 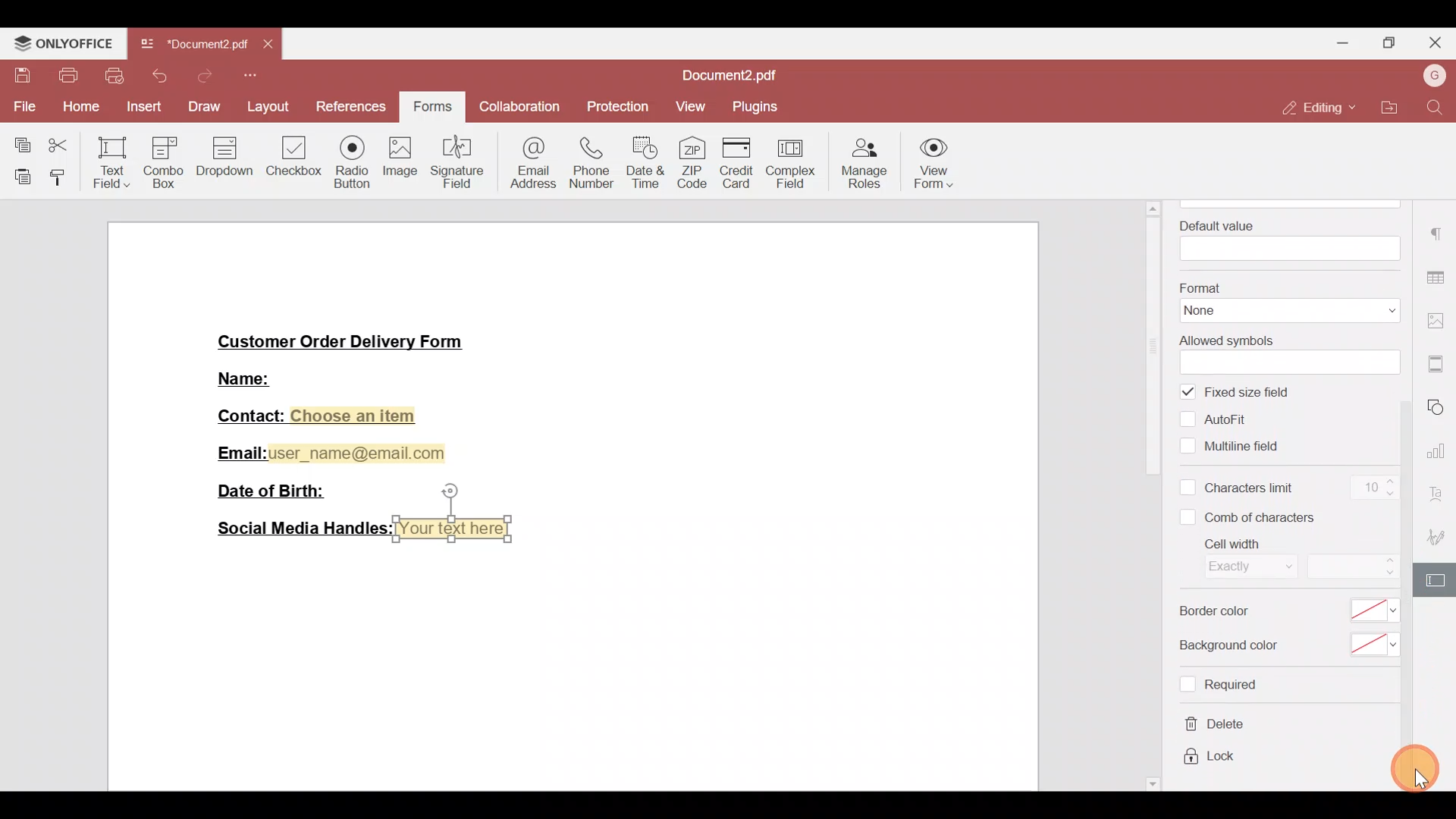 I want to click on Home, so click(x=79, y=108).